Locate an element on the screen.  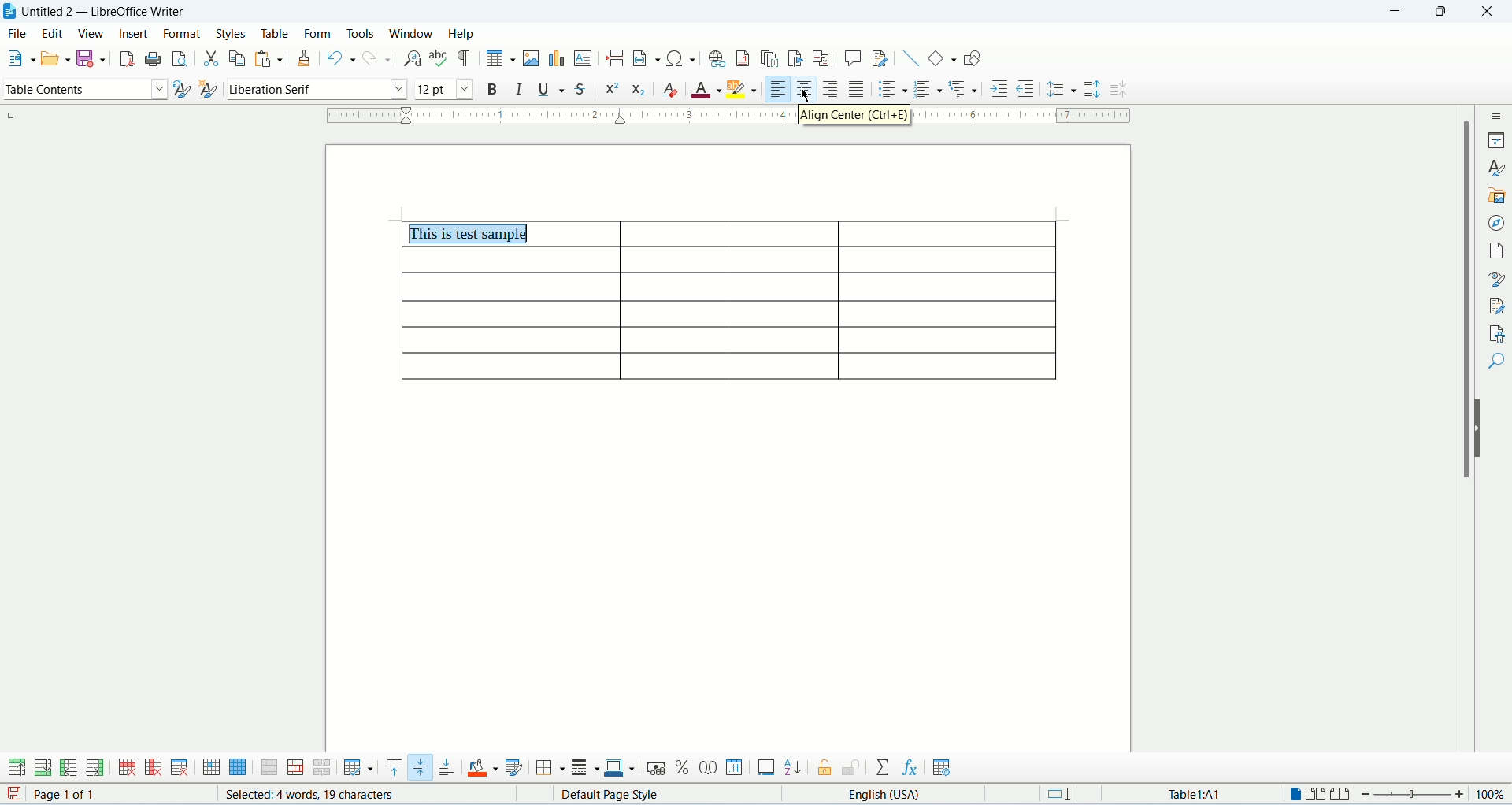
find is located at coordinates (1497, 362).